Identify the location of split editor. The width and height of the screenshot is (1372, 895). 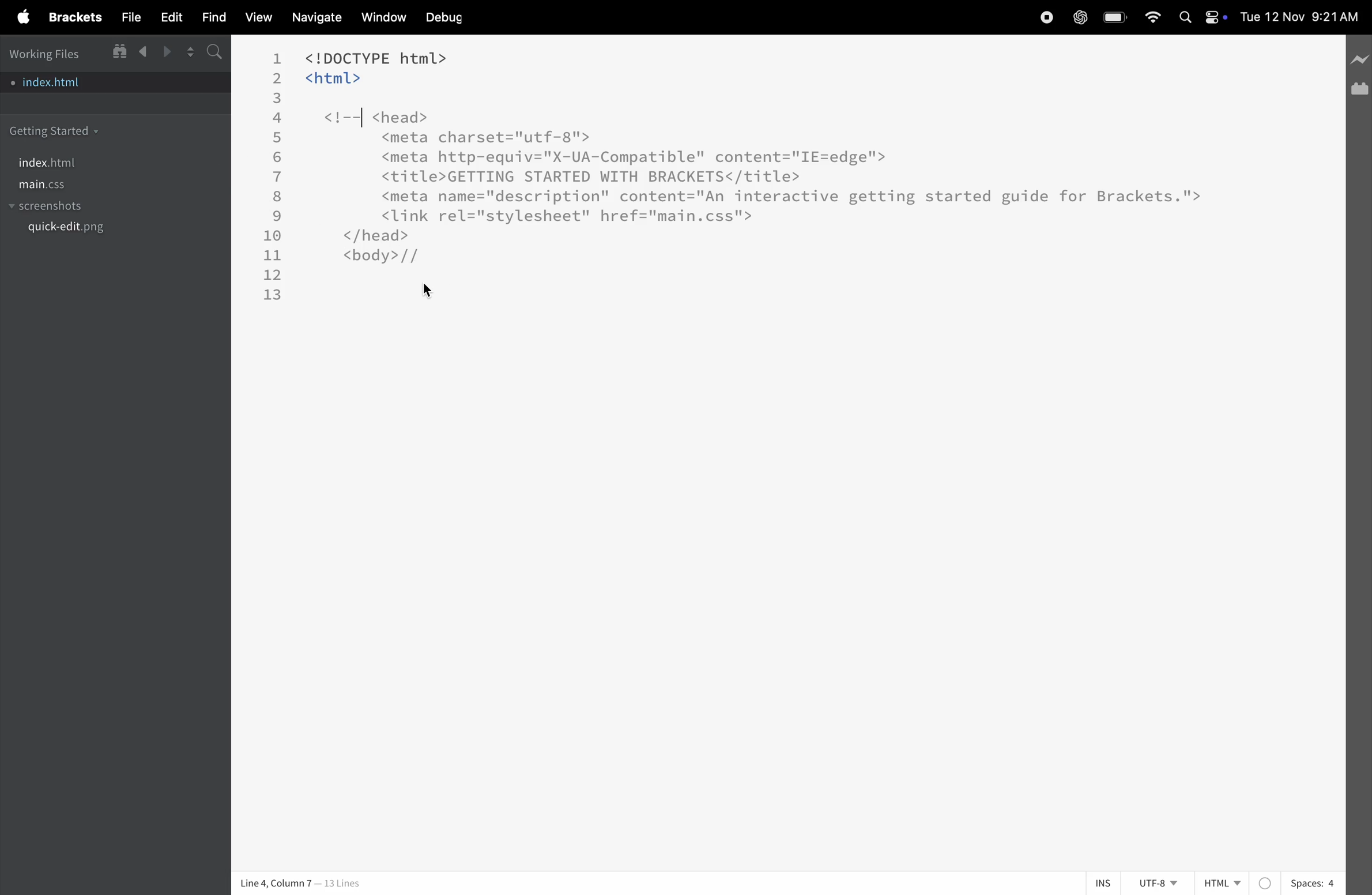
(188, 52).